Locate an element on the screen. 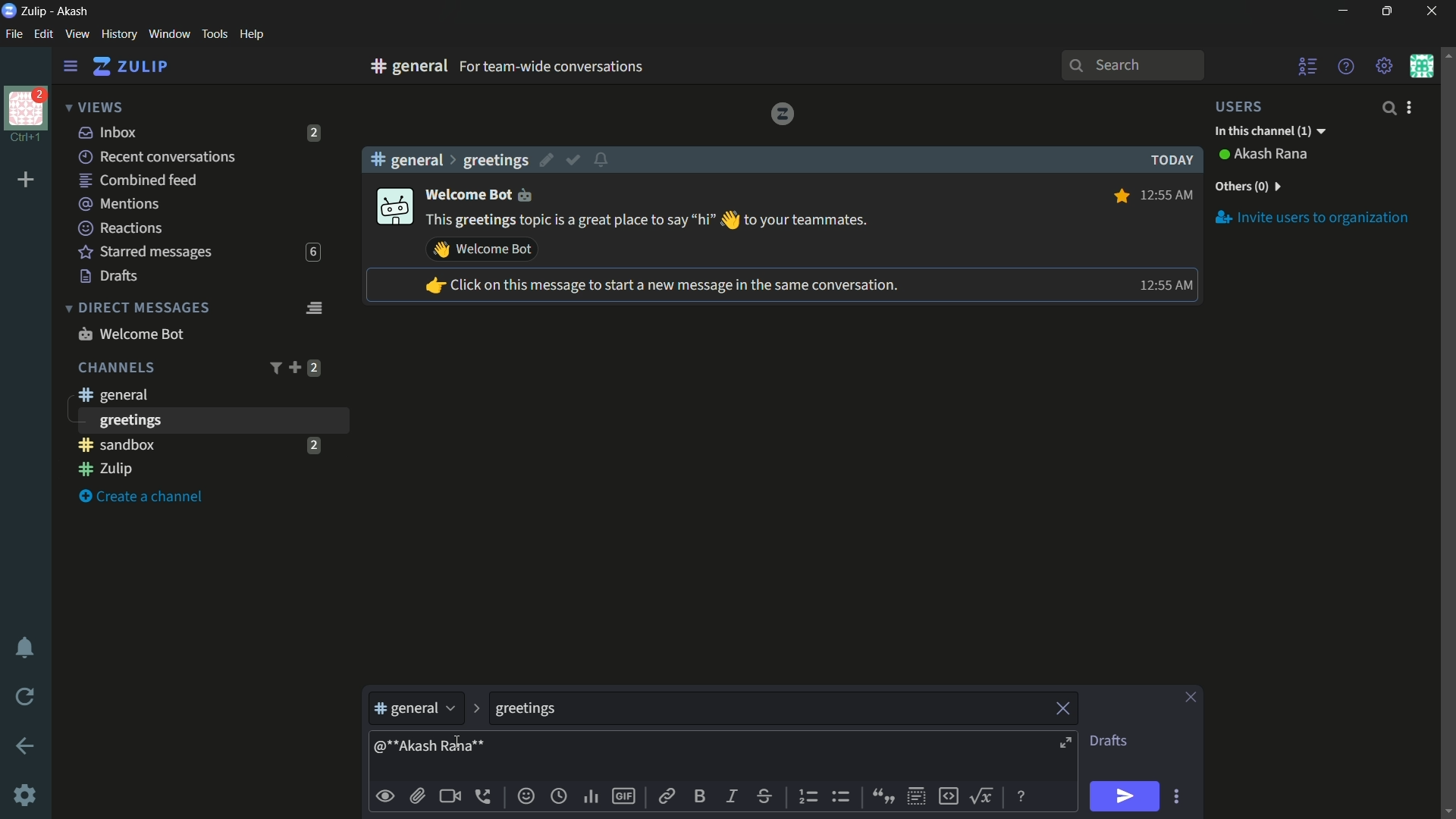  mark as resolved is located at coordinates (575, 161).